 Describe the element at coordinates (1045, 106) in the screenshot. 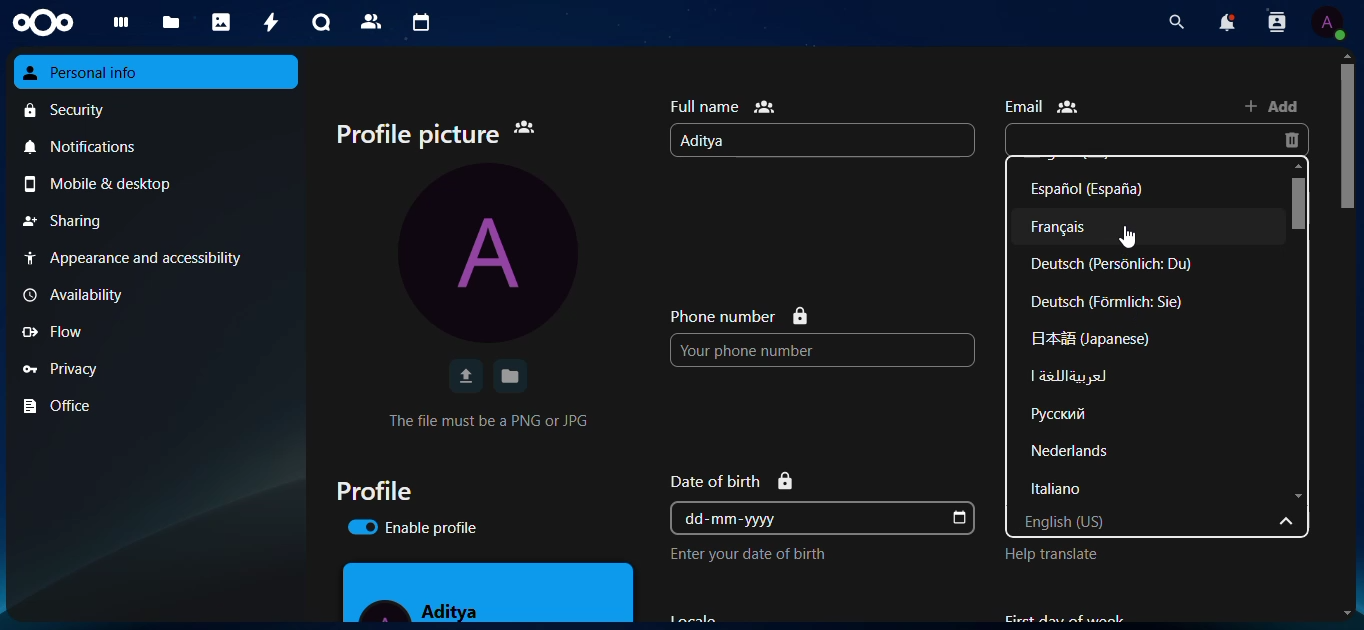

I see `email` at that location.